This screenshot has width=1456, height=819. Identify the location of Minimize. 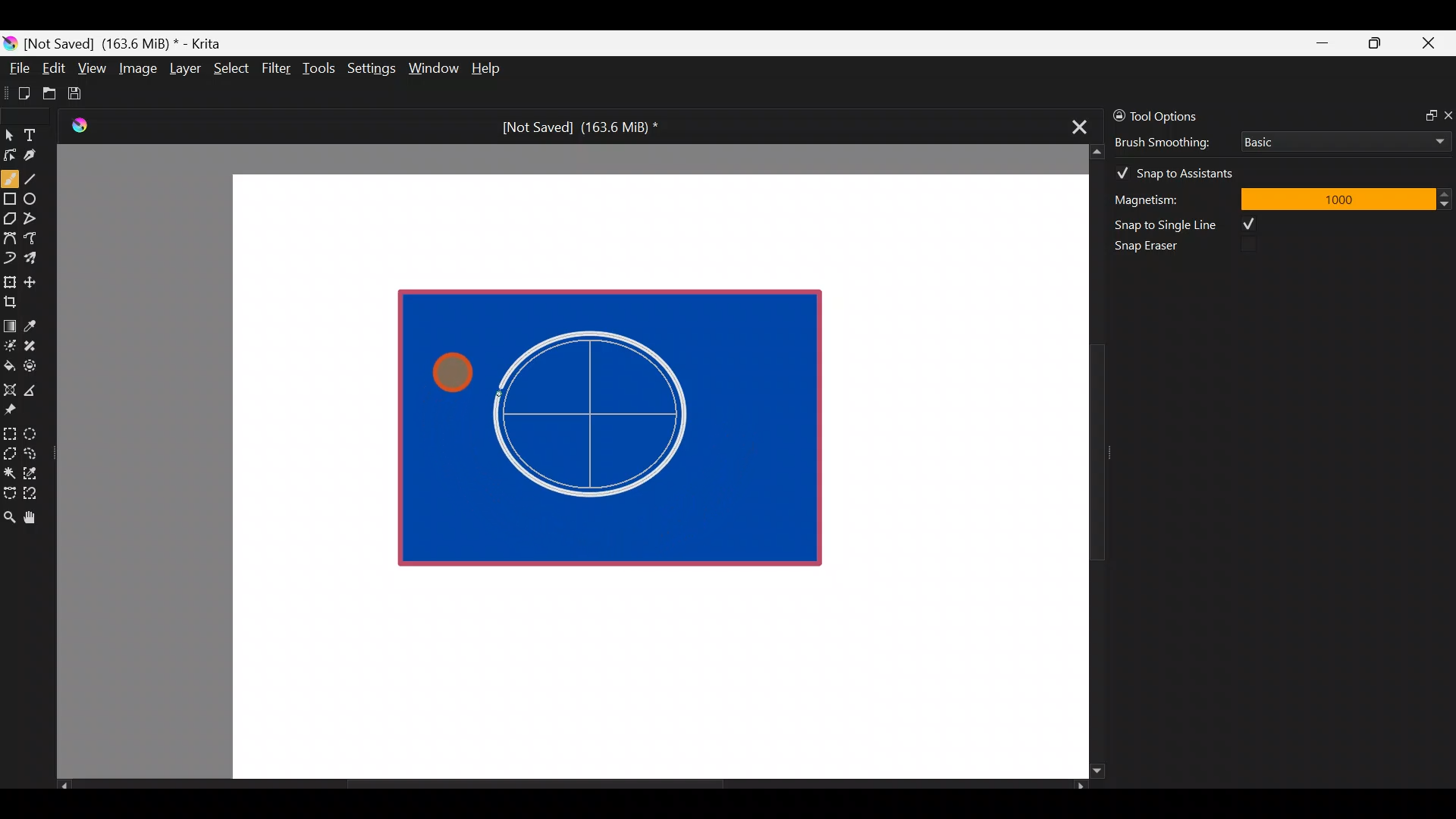
(1323, 43).